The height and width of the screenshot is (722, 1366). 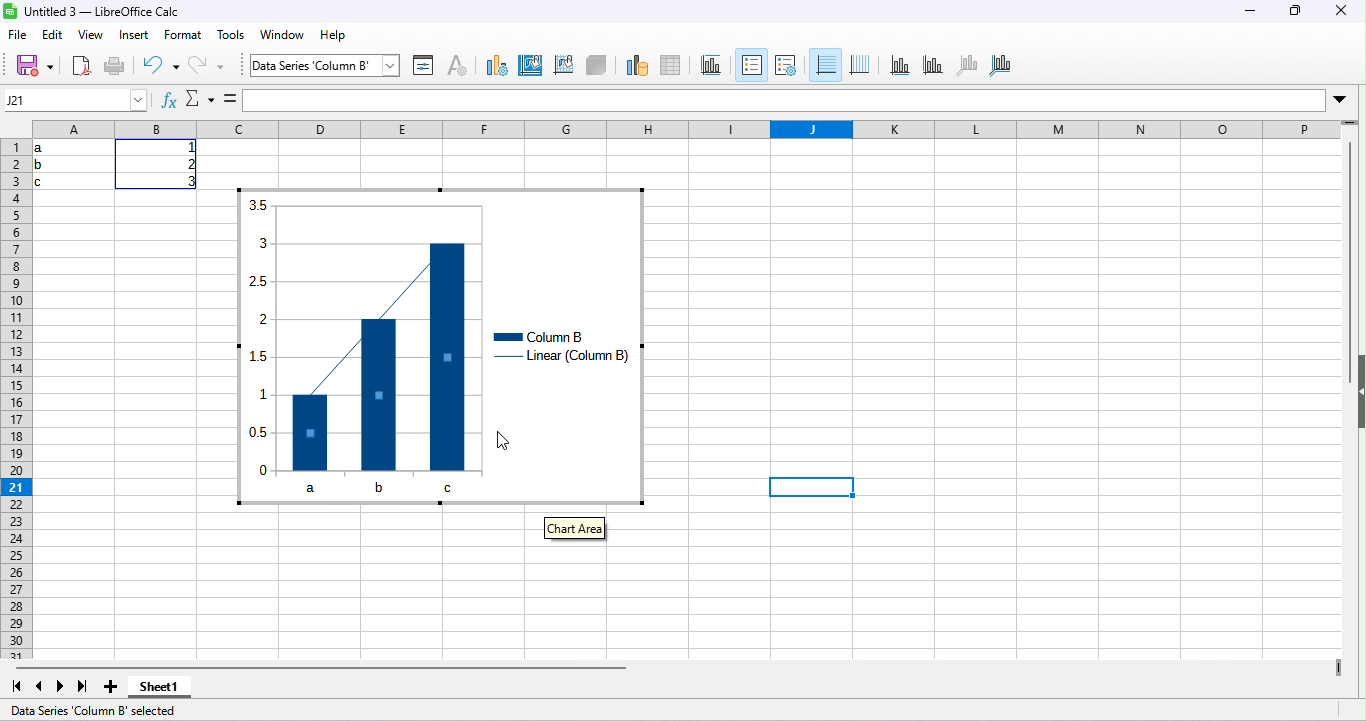 What do you see at coordinates (1346, 262) in the screenshot?
I see `vertical scroll bar` at bounding box center [1346, 262].